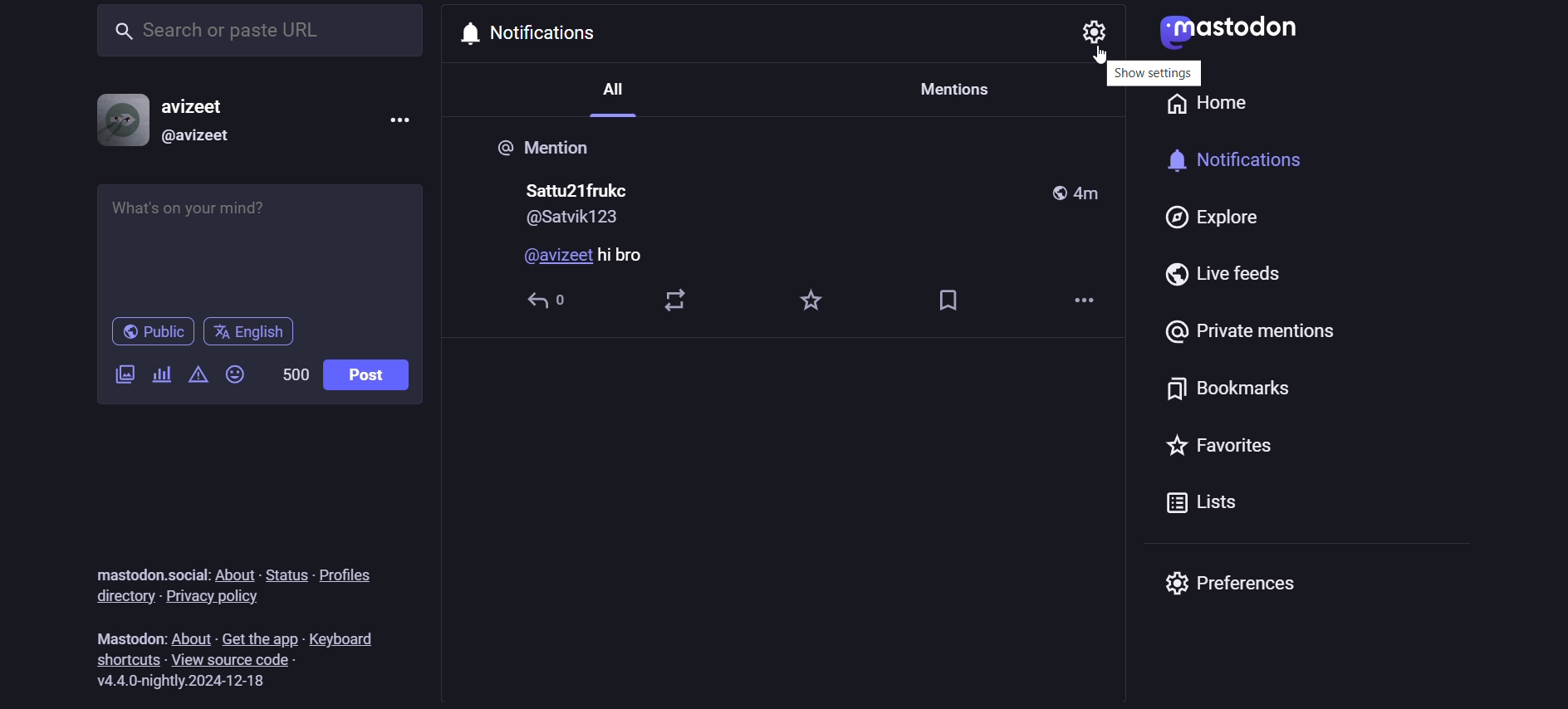 The width and height of the screenshot is (1568, 709). Describe the element at coordinates (233, 374) in the screenshot. I see `Emojis` at that location.